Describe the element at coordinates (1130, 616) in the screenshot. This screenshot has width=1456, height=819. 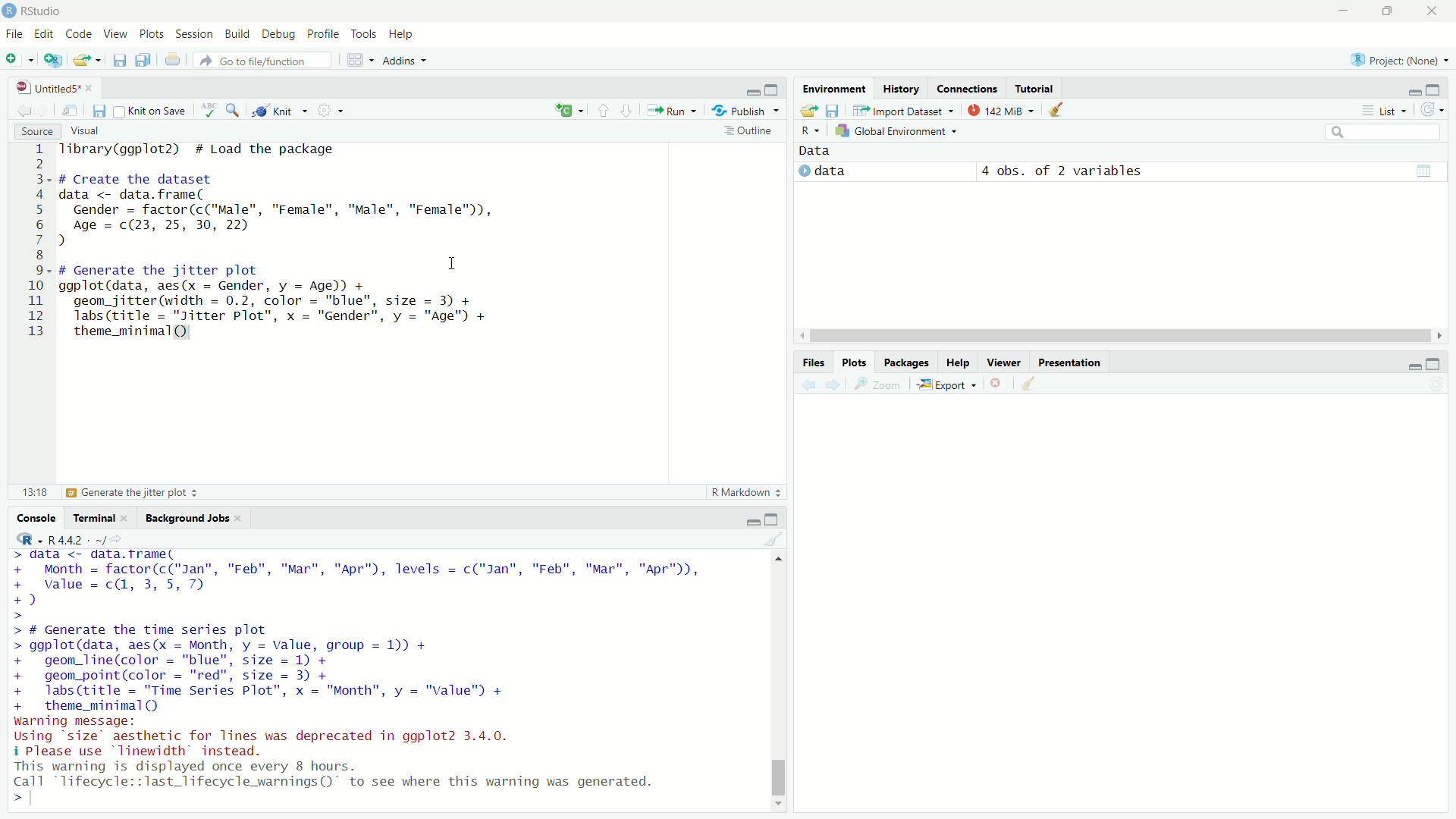
I see `empty plot area` at that location.